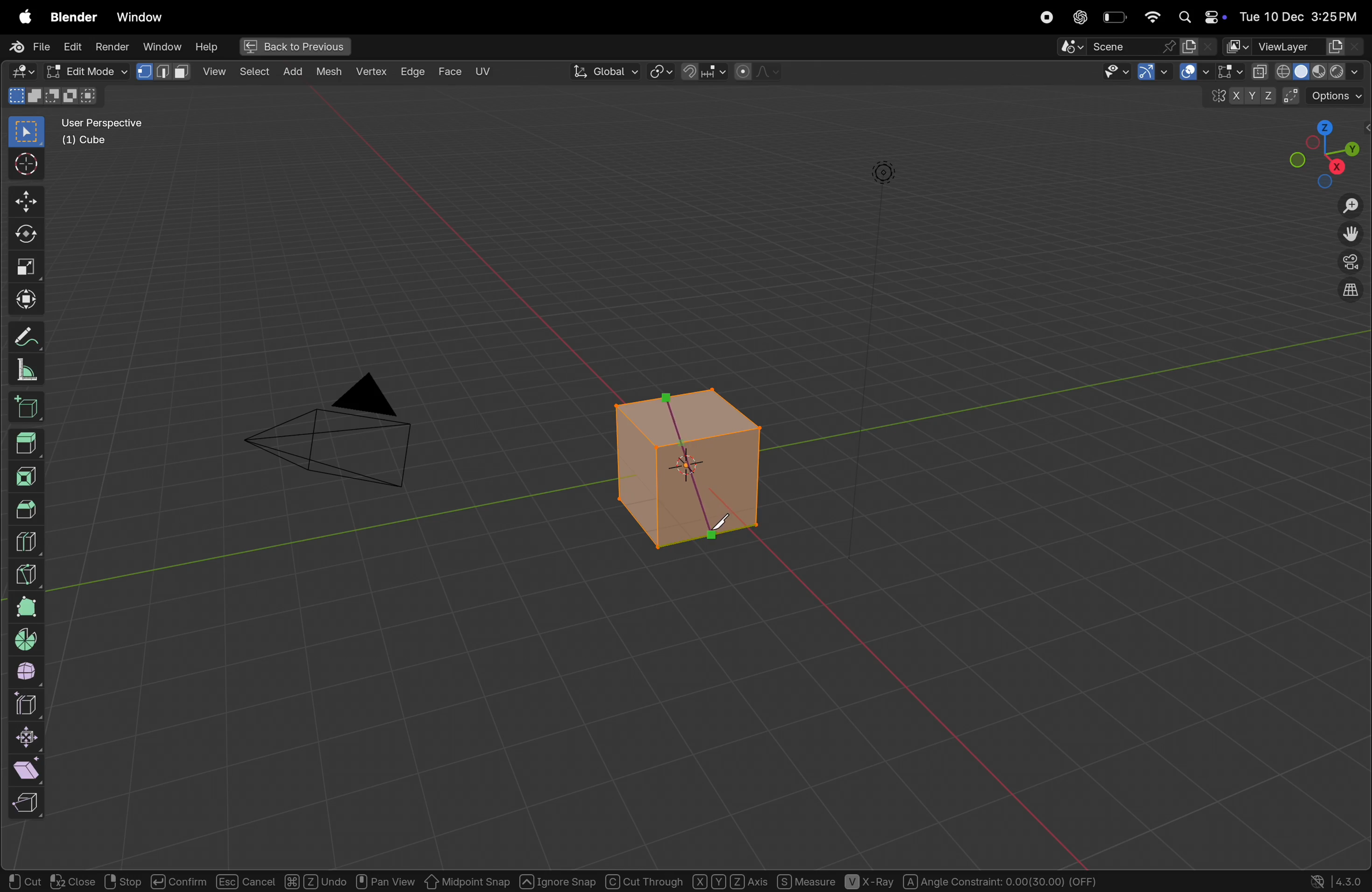  Describe the element at coordinates (22, 300) in the screenshot. I see `transform` at that location.